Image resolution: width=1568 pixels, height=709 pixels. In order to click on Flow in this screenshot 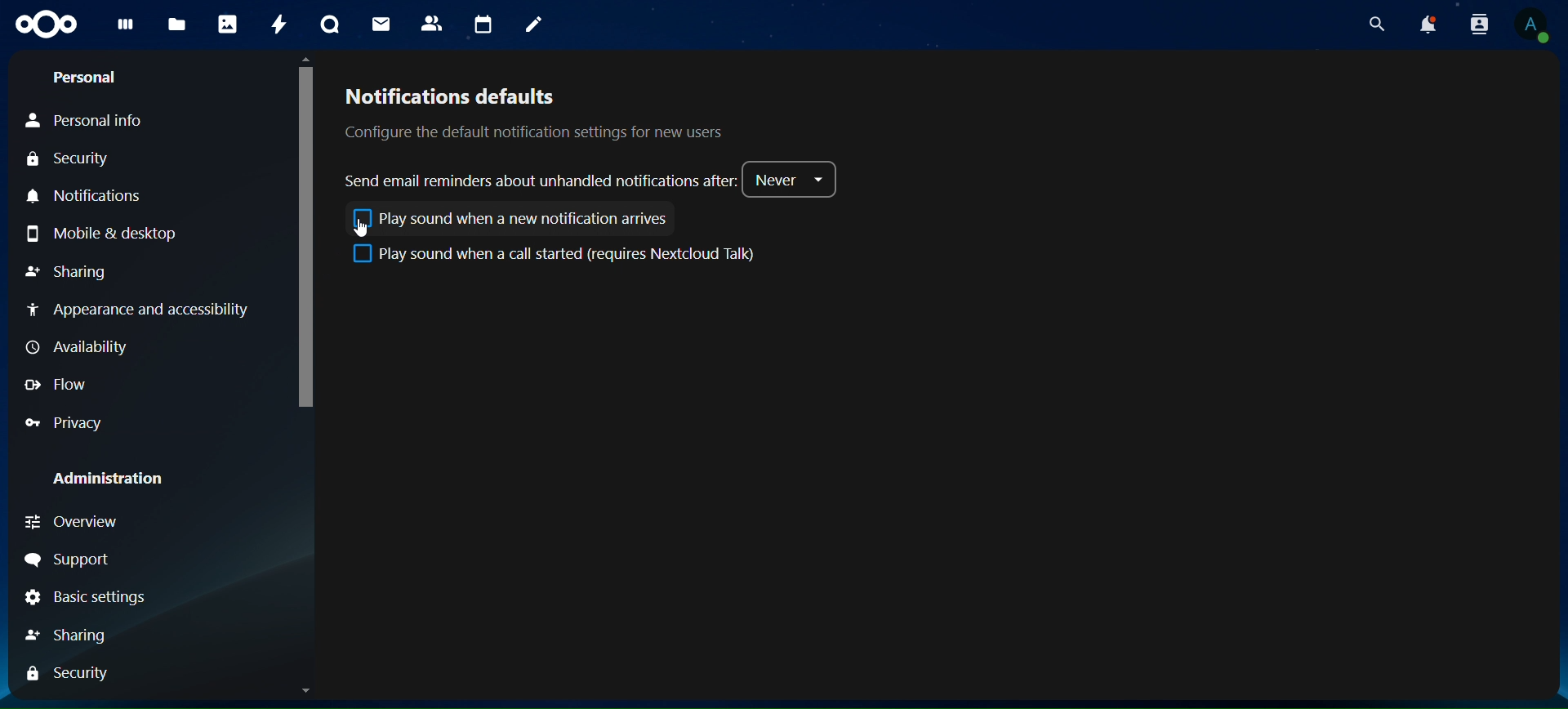, I will do `click(56, 386)`.